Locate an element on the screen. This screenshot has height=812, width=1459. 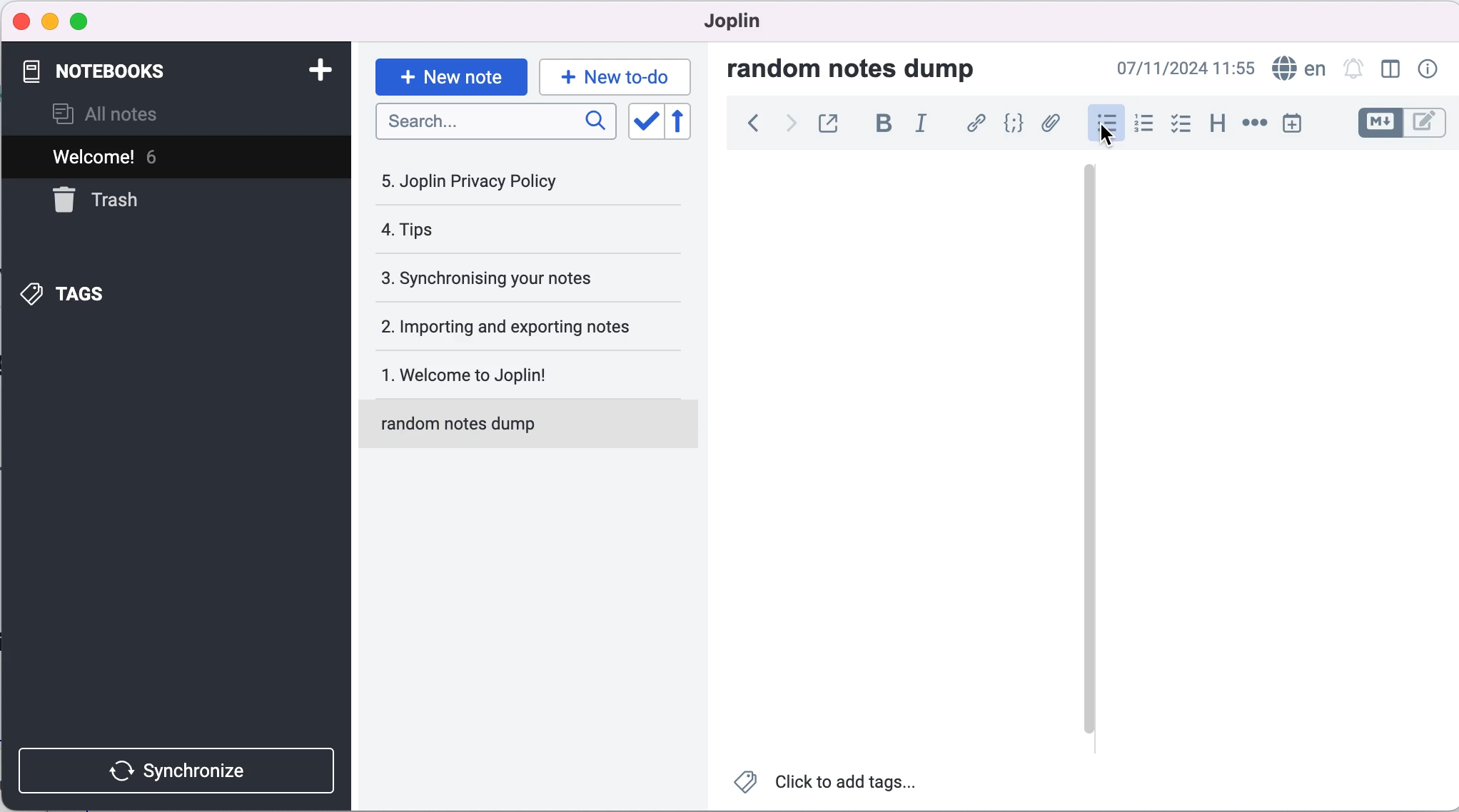
bold is located at coordinates (879, 126).